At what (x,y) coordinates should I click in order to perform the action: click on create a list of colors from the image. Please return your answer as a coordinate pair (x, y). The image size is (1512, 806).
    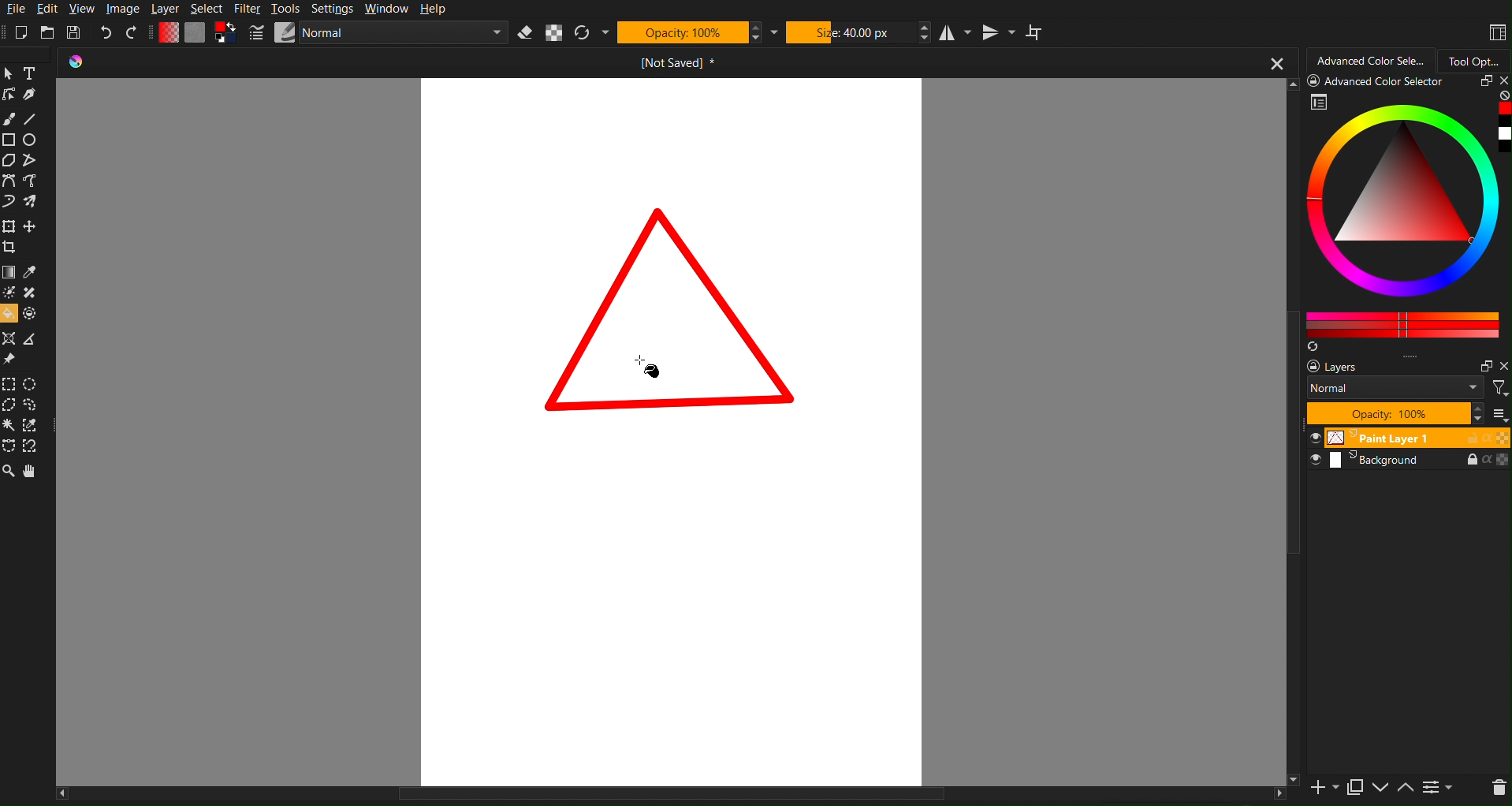
    Looking at the image, I should click on (1314, 348).